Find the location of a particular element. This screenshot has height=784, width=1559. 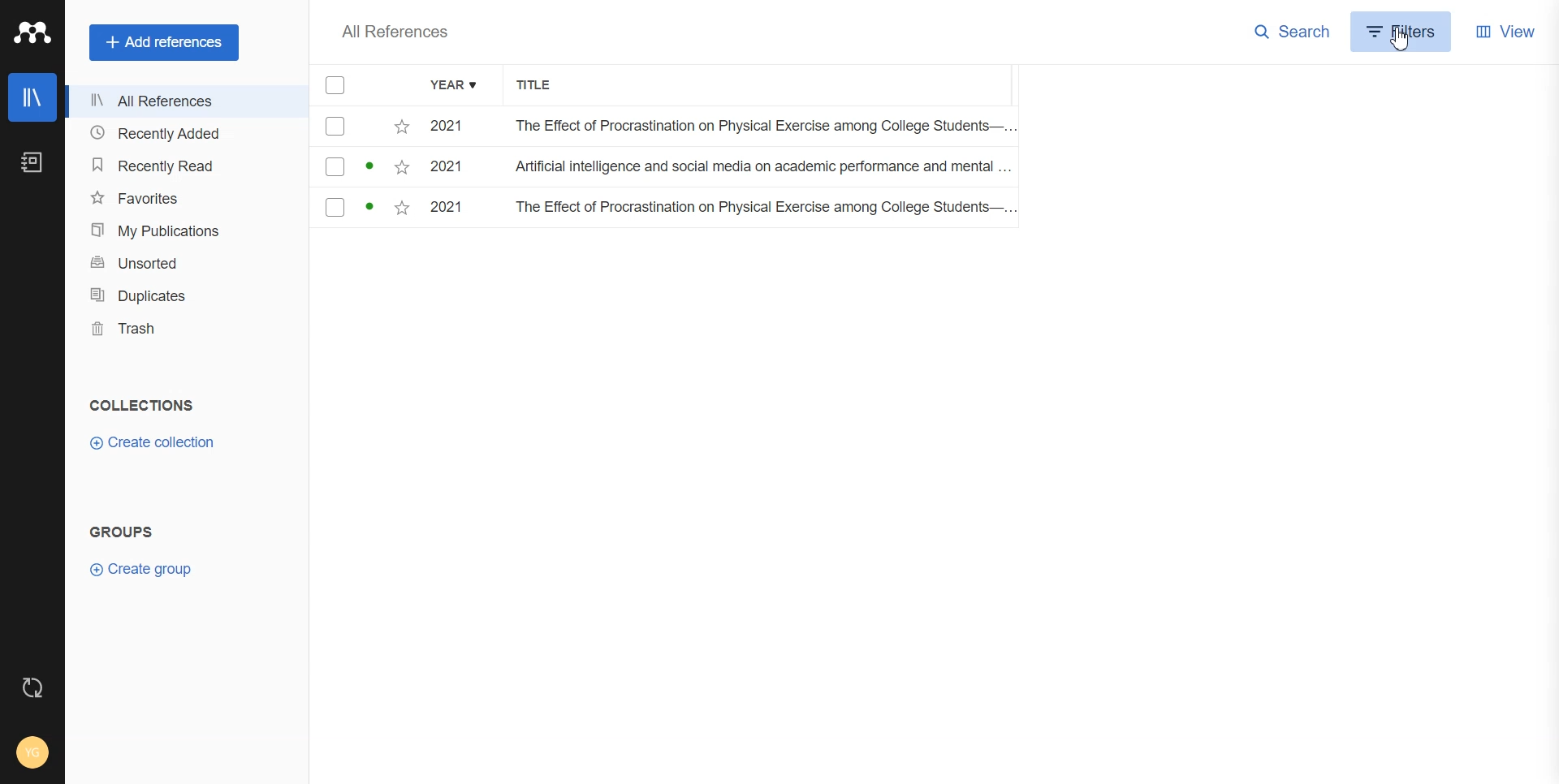

Auto sync is located at coordinates (32, 687).